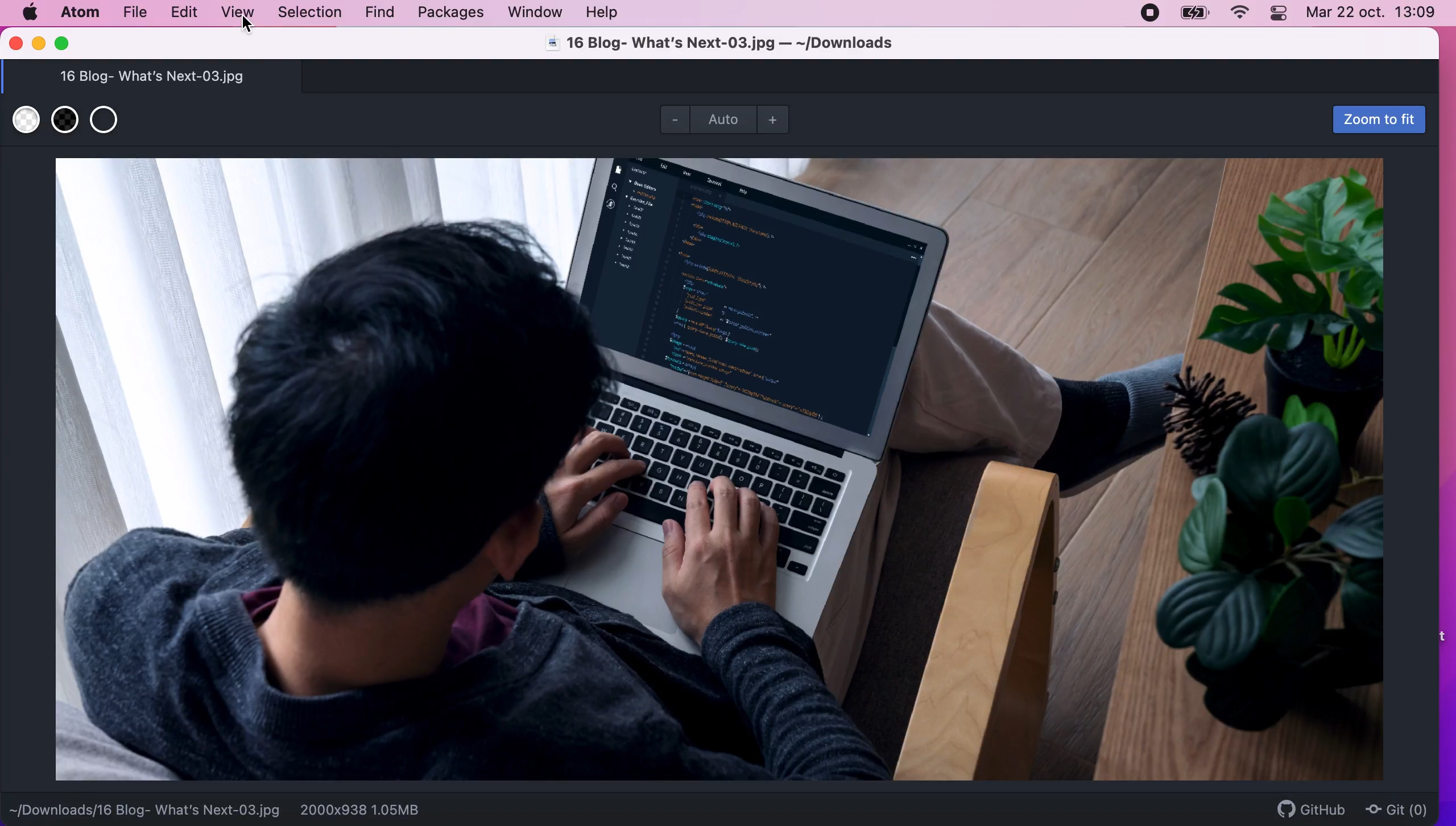  What do you see at coordinates (15, 48) in the screenshot?
I see `close` at bounding box center [15, 48].